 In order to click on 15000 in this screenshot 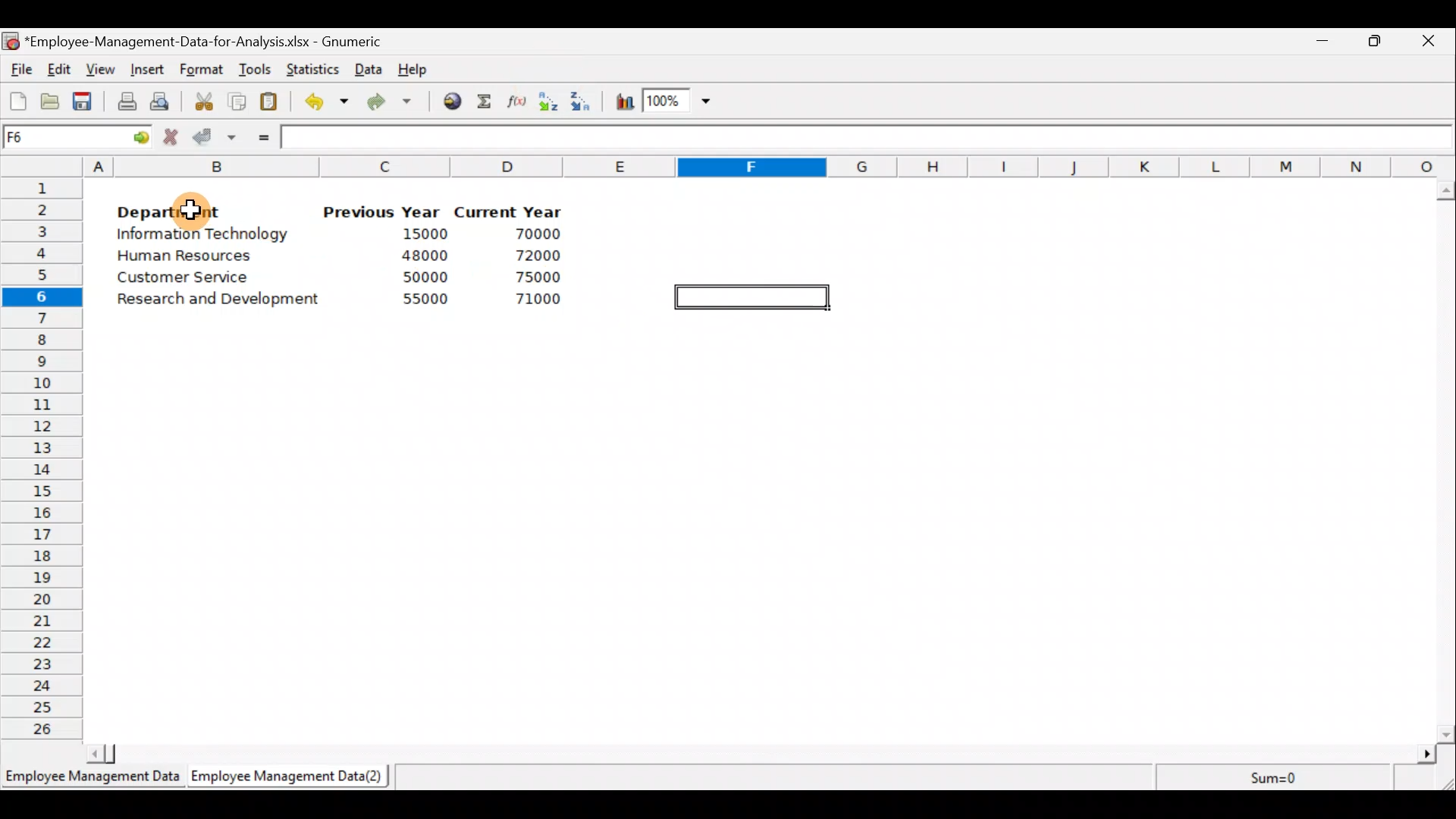, I will do `click(419, 233)`.